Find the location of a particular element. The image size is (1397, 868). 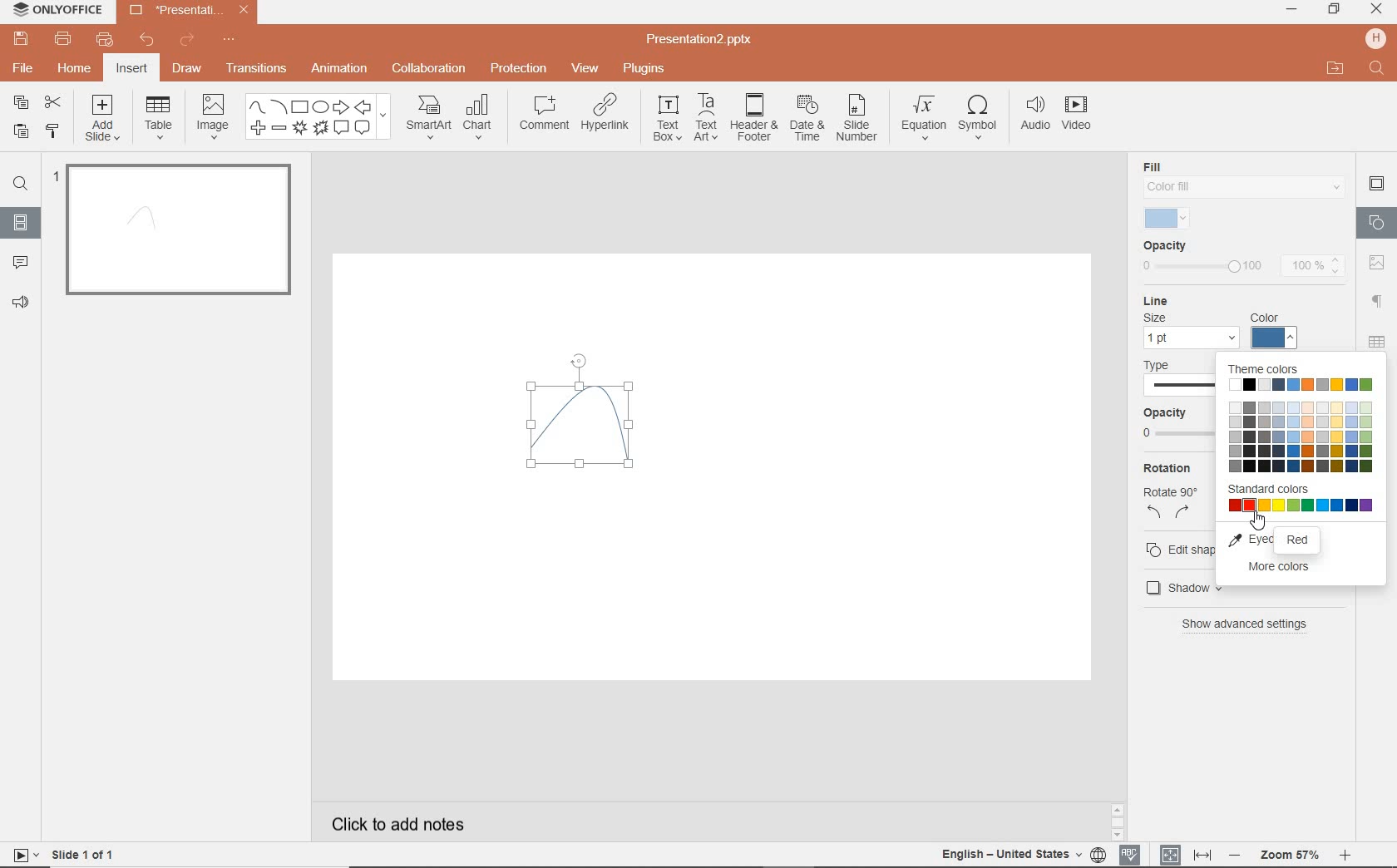

rotation is located at coordinates (1172, 478).